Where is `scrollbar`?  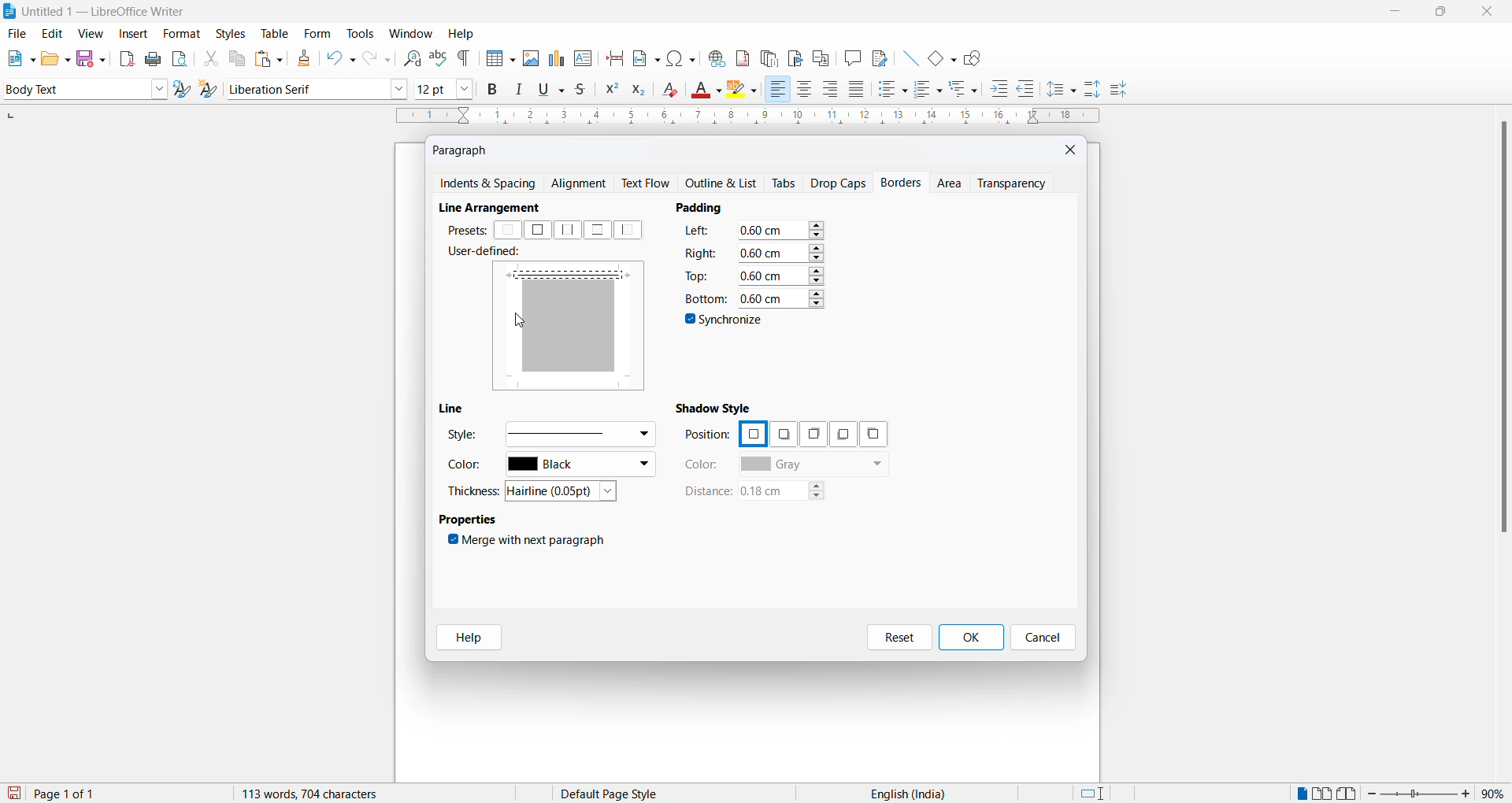
scrollbar is located at coordinates (1503, 335).